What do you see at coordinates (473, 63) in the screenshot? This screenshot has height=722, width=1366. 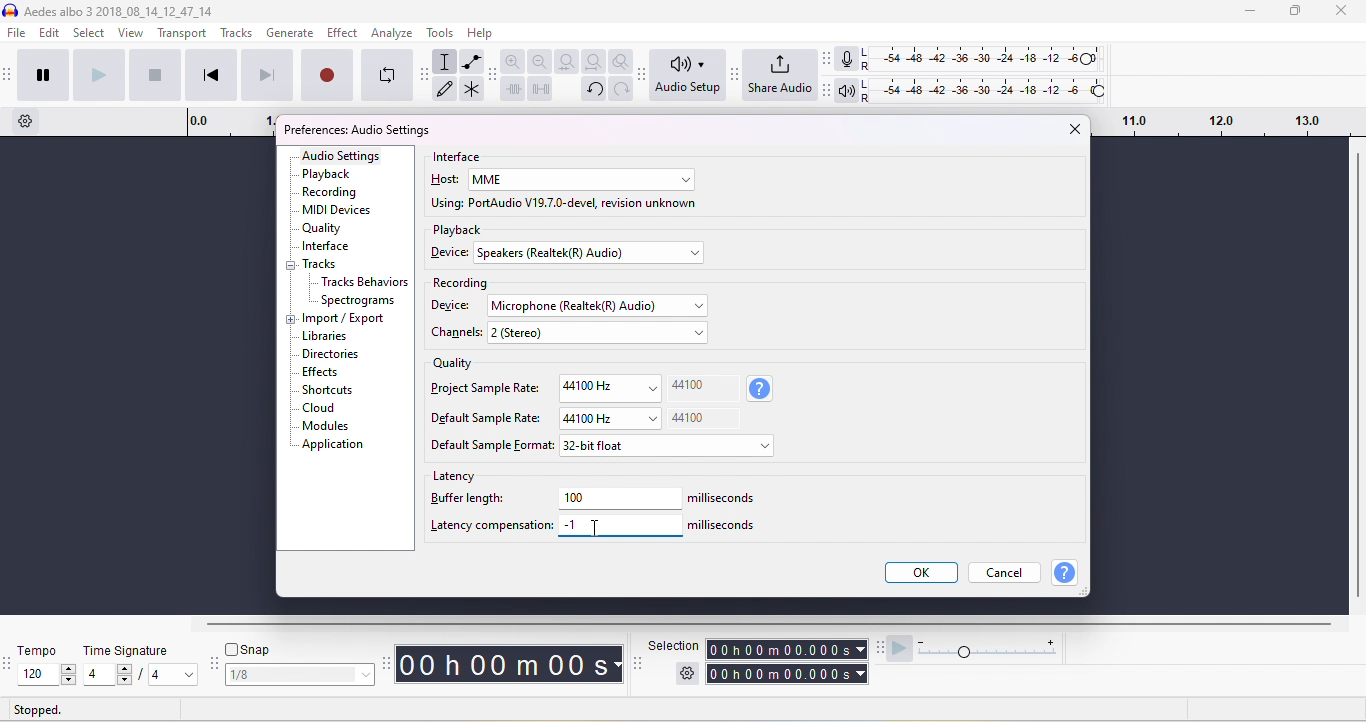 I see `envelop tool` at bounding box center [473, 63].